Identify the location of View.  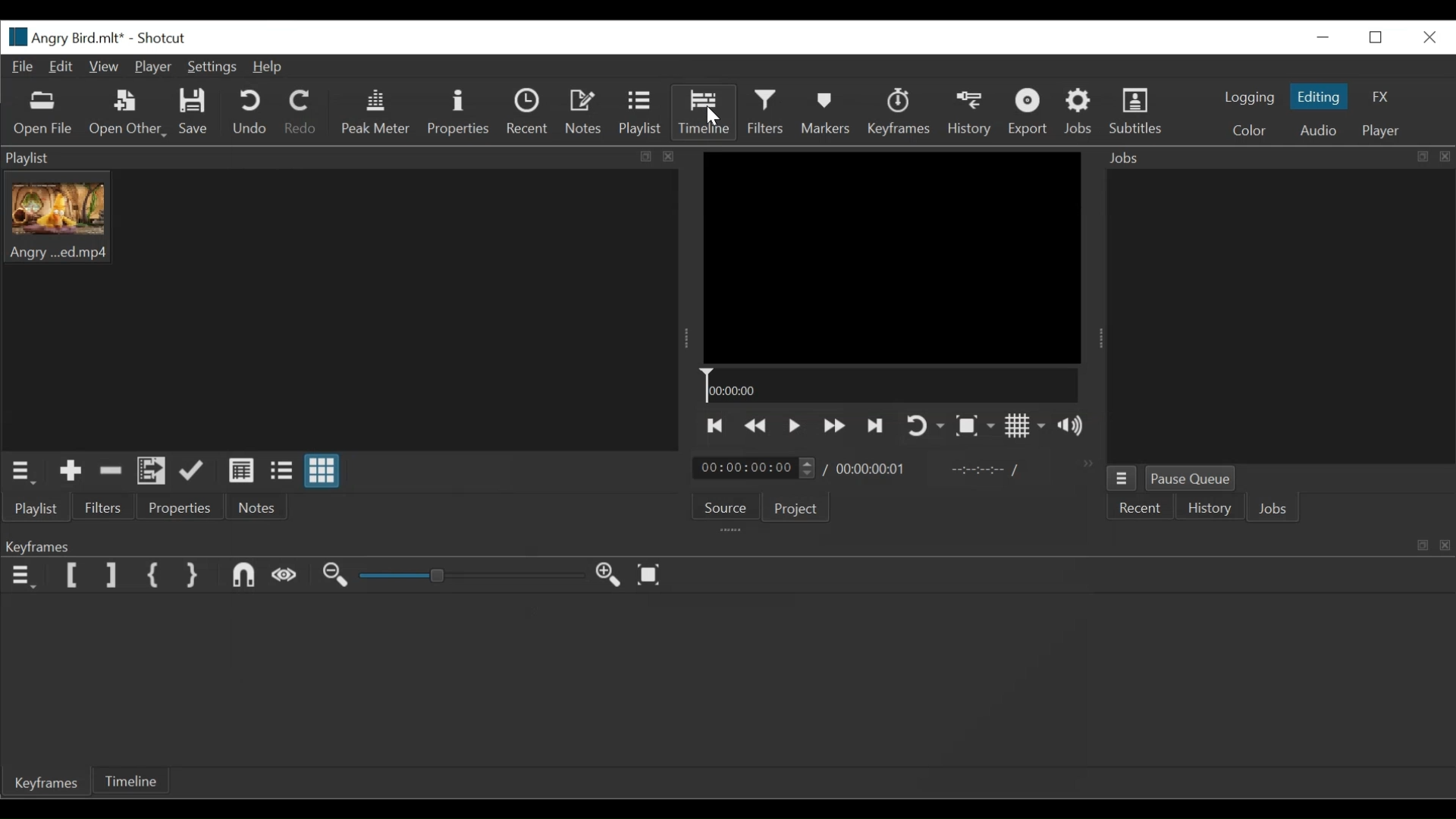
(103, 67).